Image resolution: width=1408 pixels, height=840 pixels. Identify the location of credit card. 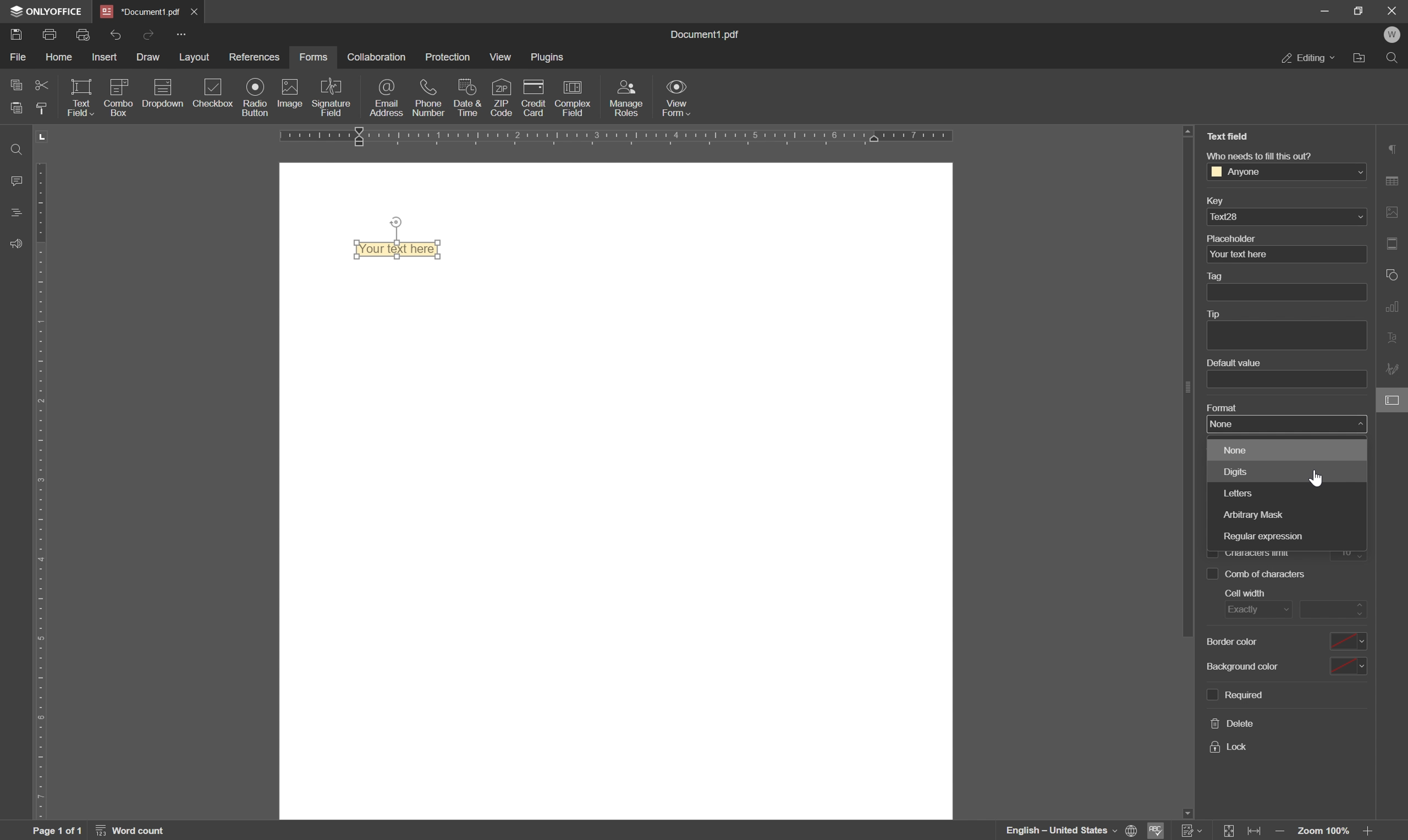
(533, 98).